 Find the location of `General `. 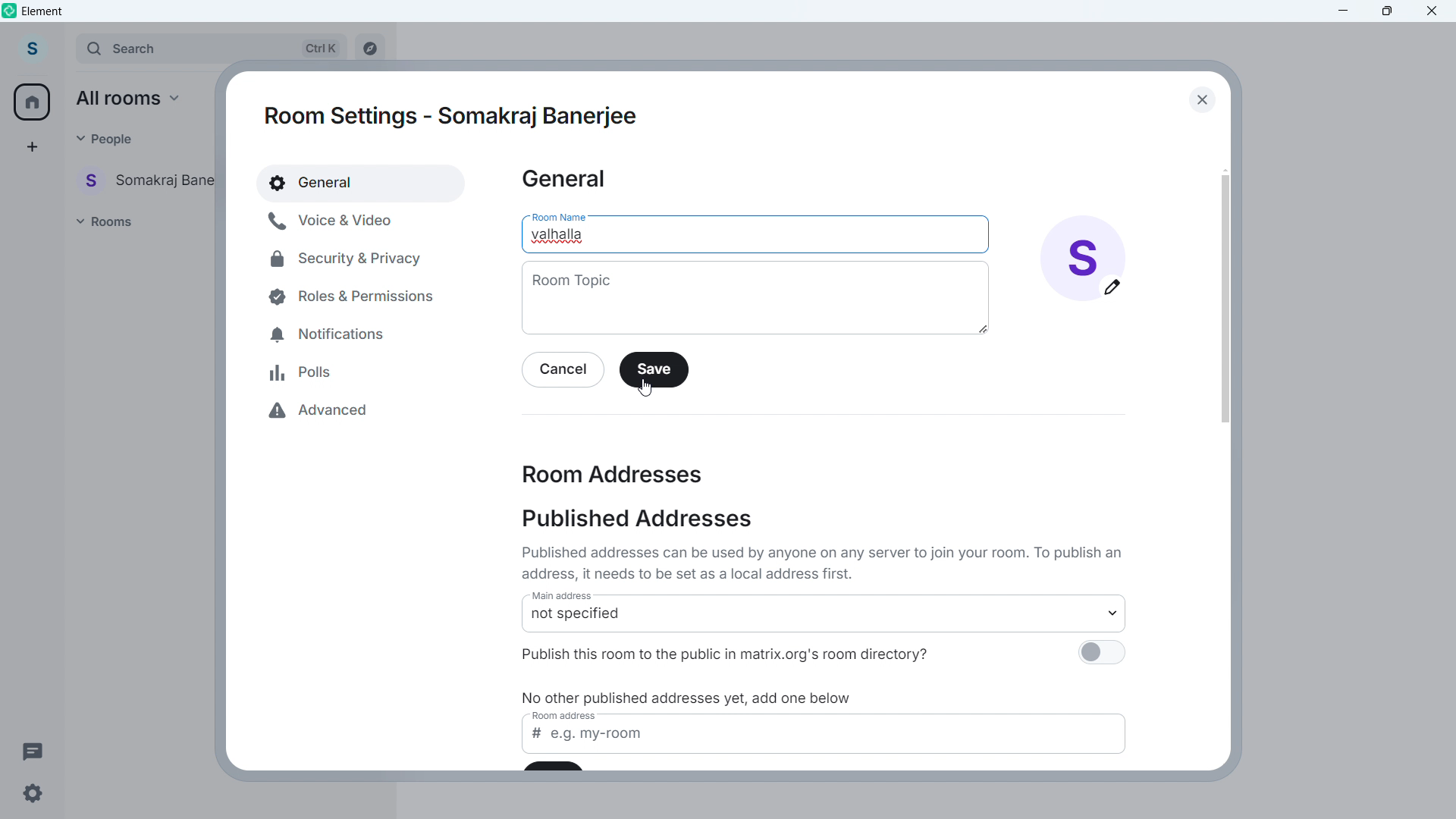

General  is located at coordinates (563, 180).